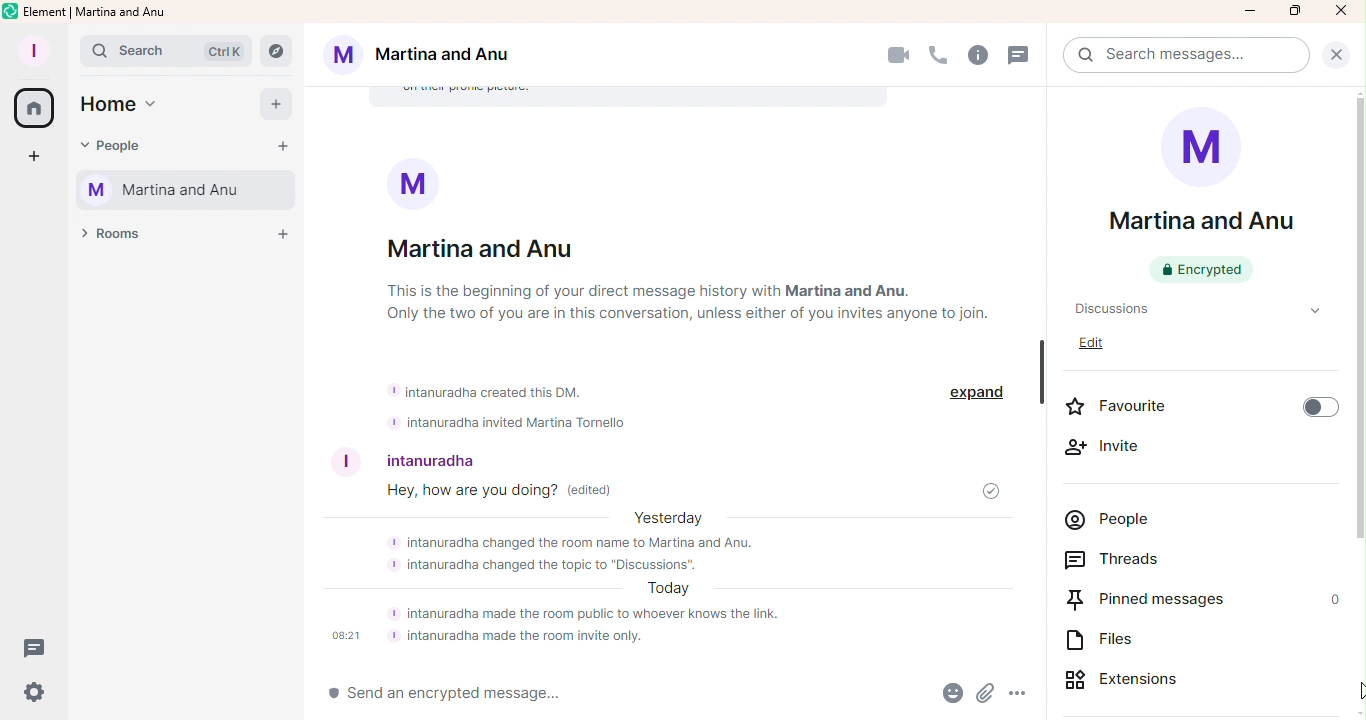  What do you see at coordinates (118, 238) in the screenshot?
I see `Rooms` at bounding box center [118, 238].